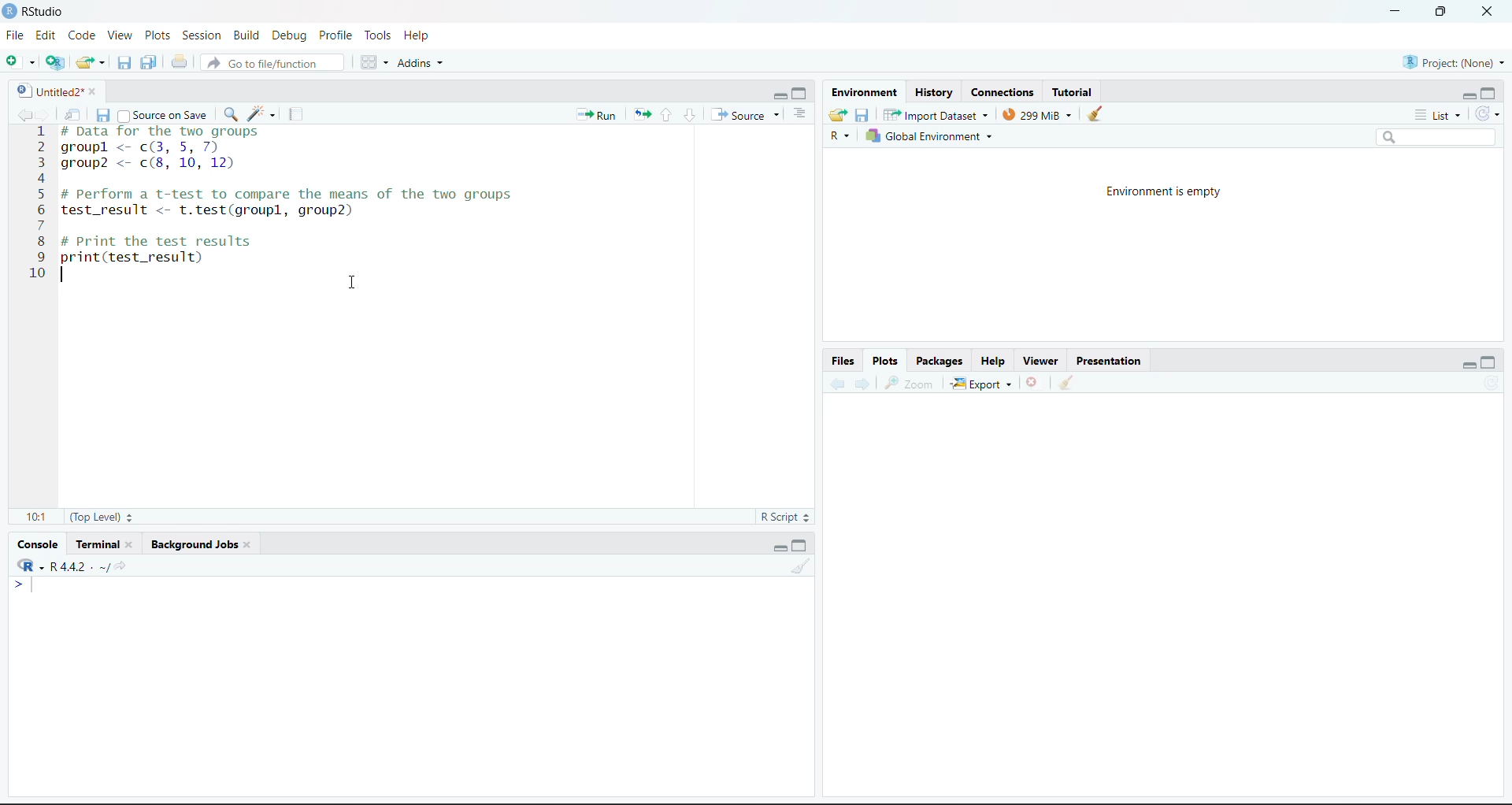 This screenshot has height=805, width=1512. Describe the element at coordinates (82, 36) in the screenshot. I see `Code` at that location.